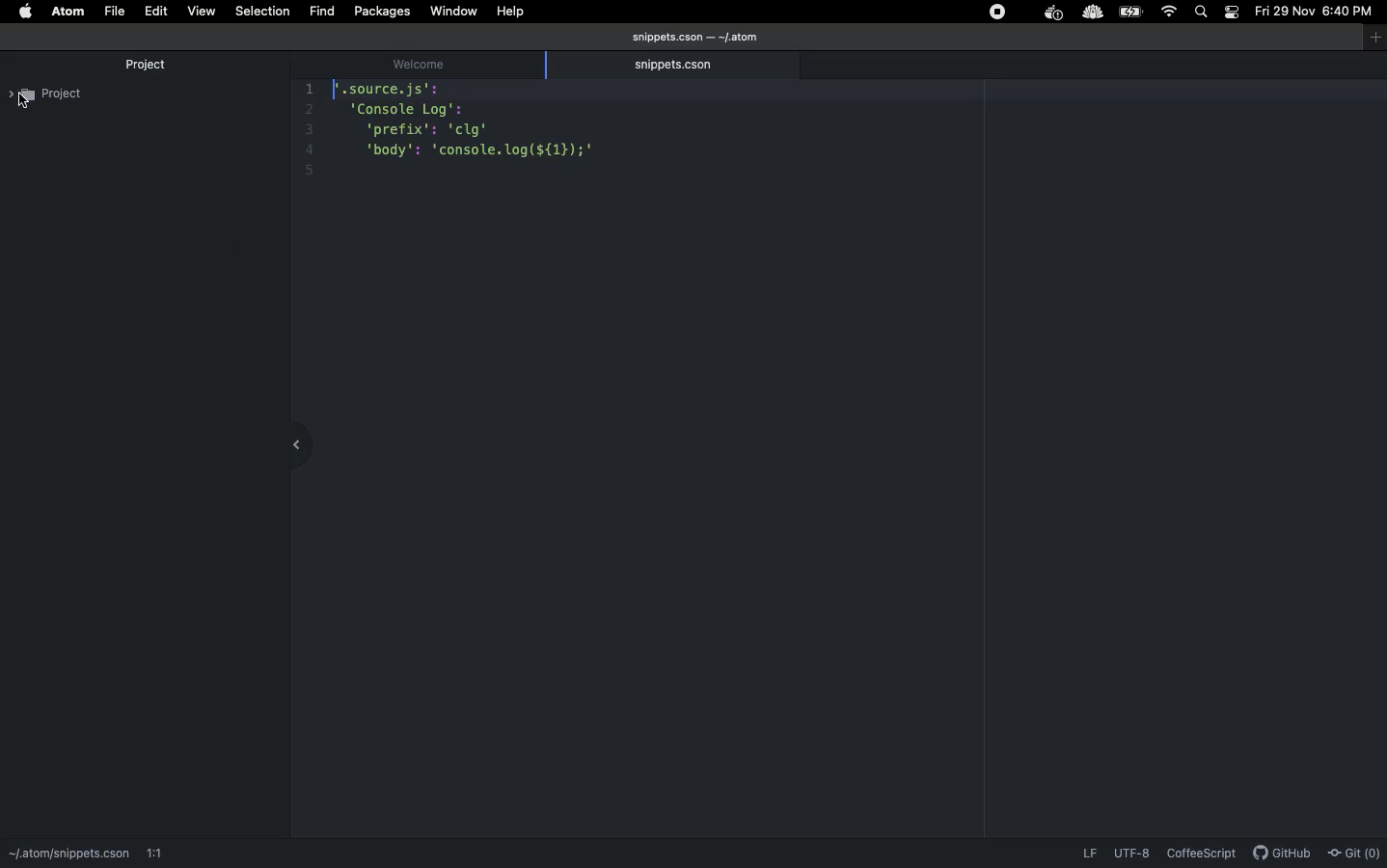 This screenshot has width=1387, height=868. Describe the element at coordinates (1004, 12) in the screenshot. I see `Extensions` at that location.